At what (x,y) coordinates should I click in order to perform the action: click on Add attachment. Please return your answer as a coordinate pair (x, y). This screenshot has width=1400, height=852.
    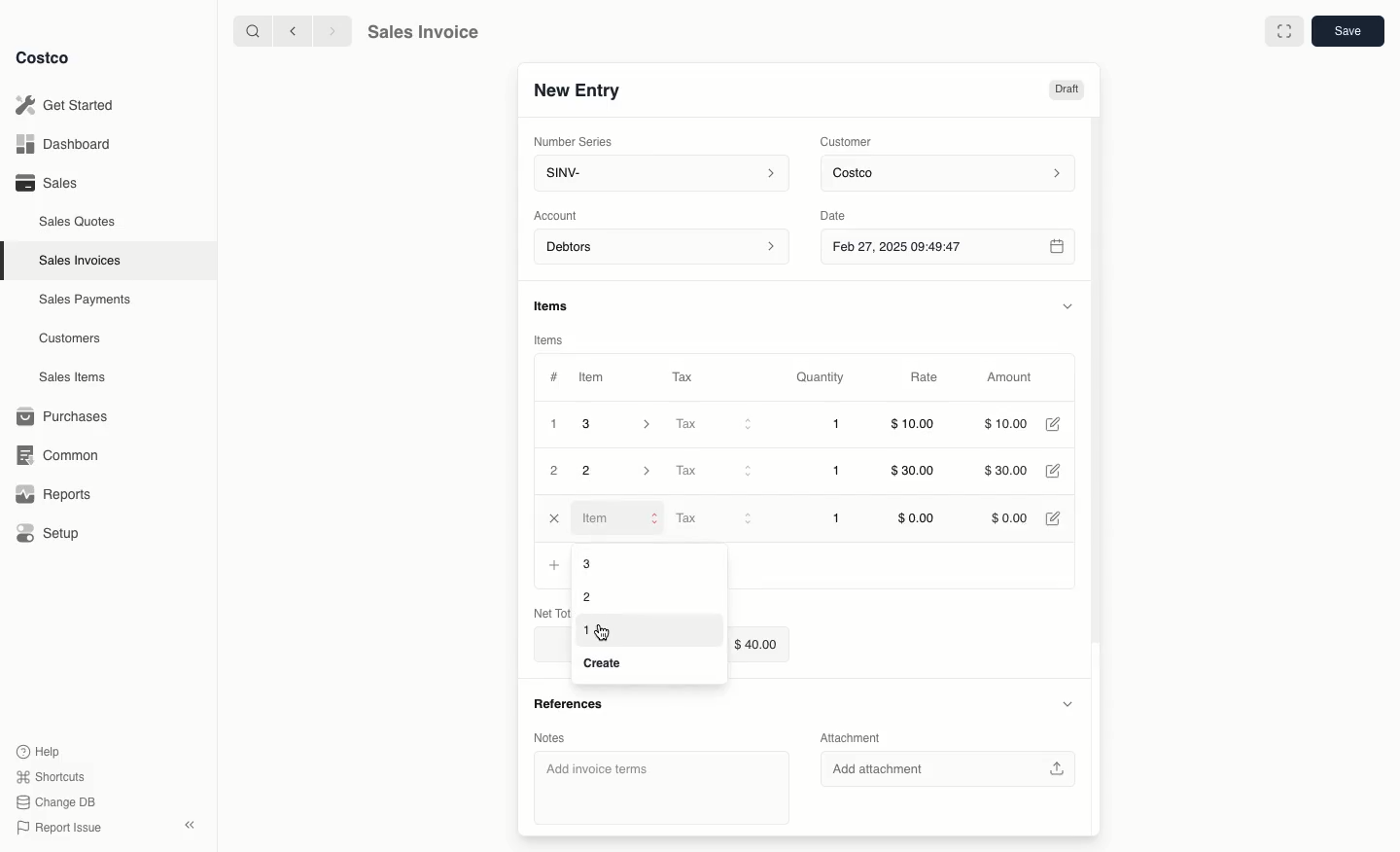
    Looking at the image, I should click on (946, 768).